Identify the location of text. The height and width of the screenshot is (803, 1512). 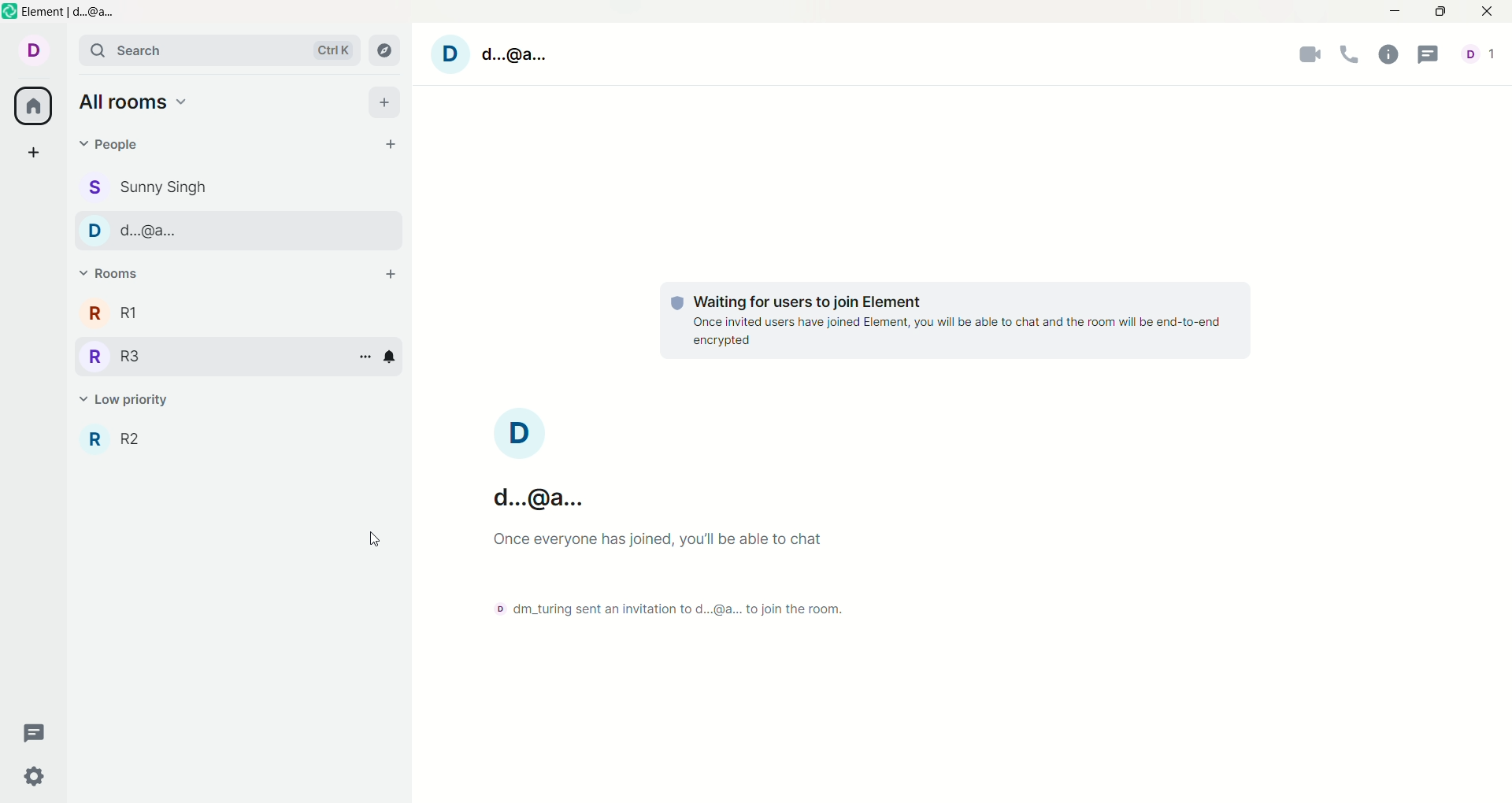
(956, 320).